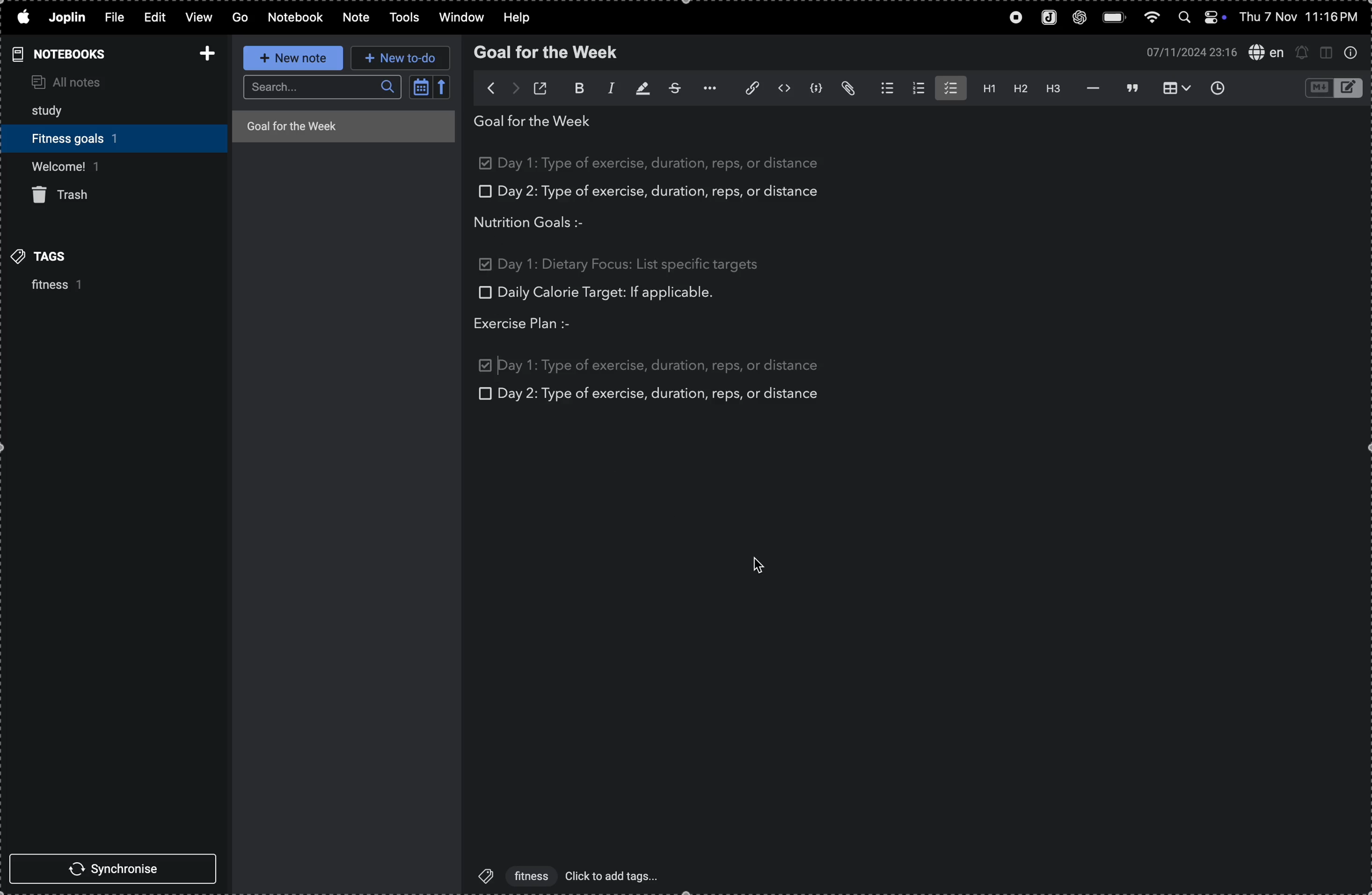 The height and width of the screenshot is (895, 1372). What do you see at coordinates (241, 17) in the screenshot?
I see `GO` at bounding box center [241, 17].